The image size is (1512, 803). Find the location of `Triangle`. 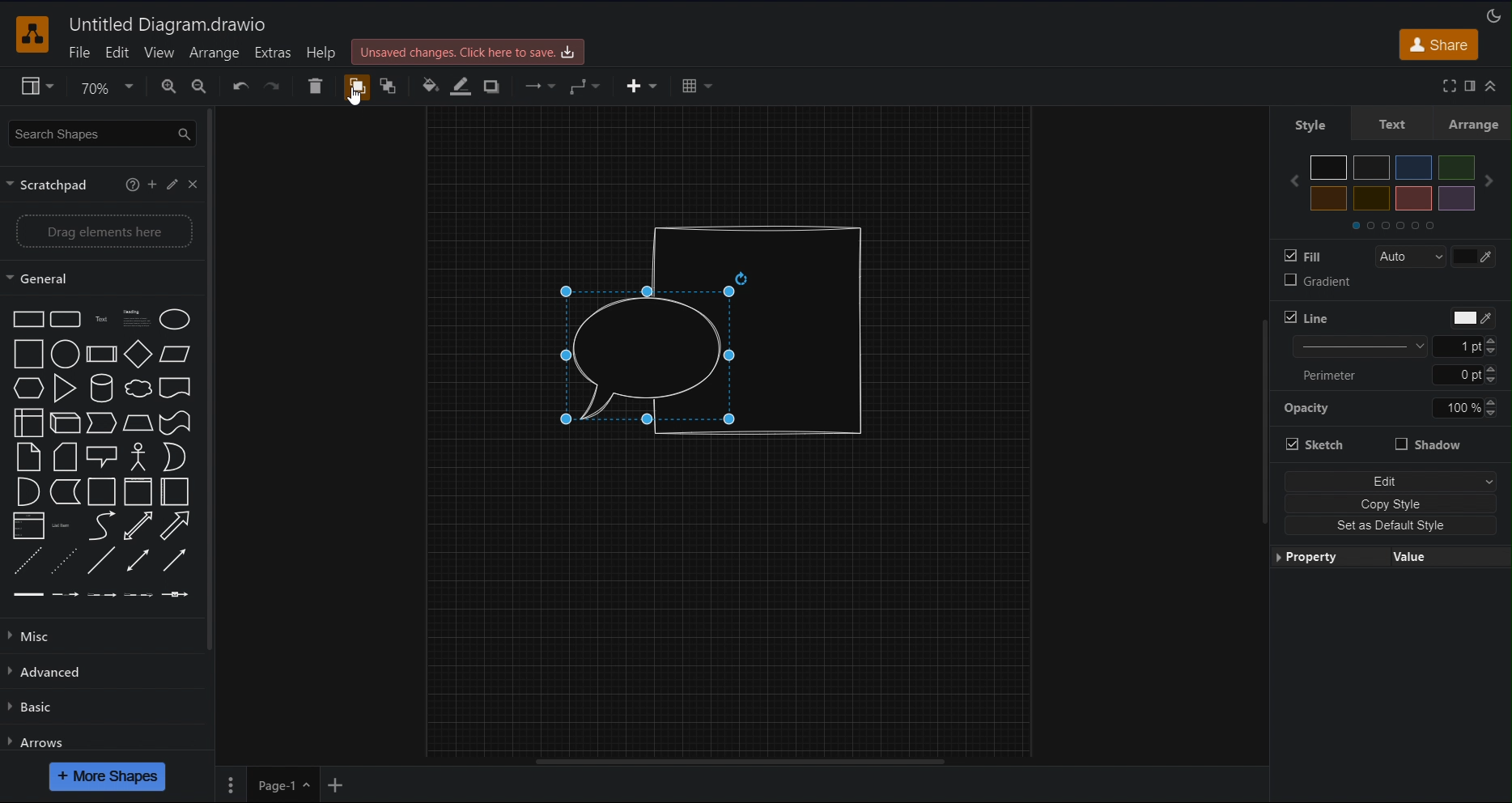

Triangle is located at coordinates (64, 388).